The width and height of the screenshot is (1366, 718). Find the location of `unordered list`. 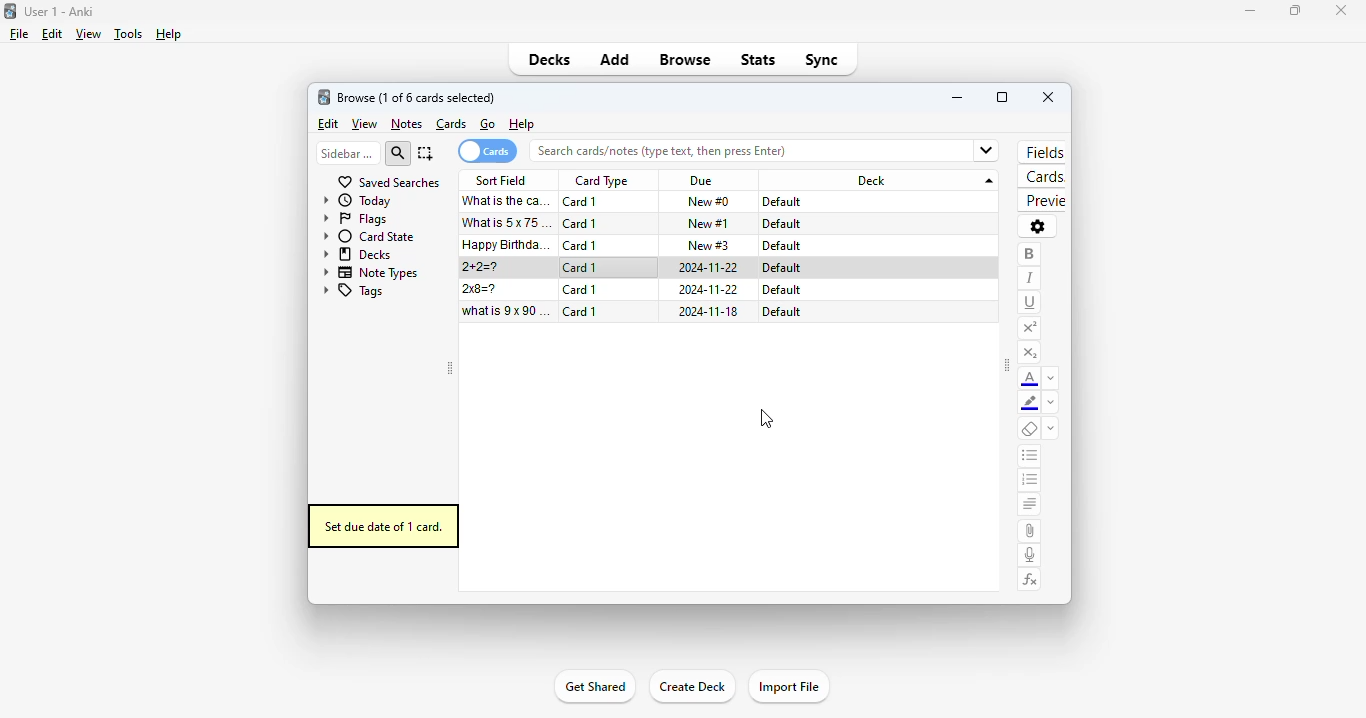

unordered list is located at coordinates (1030, 457).